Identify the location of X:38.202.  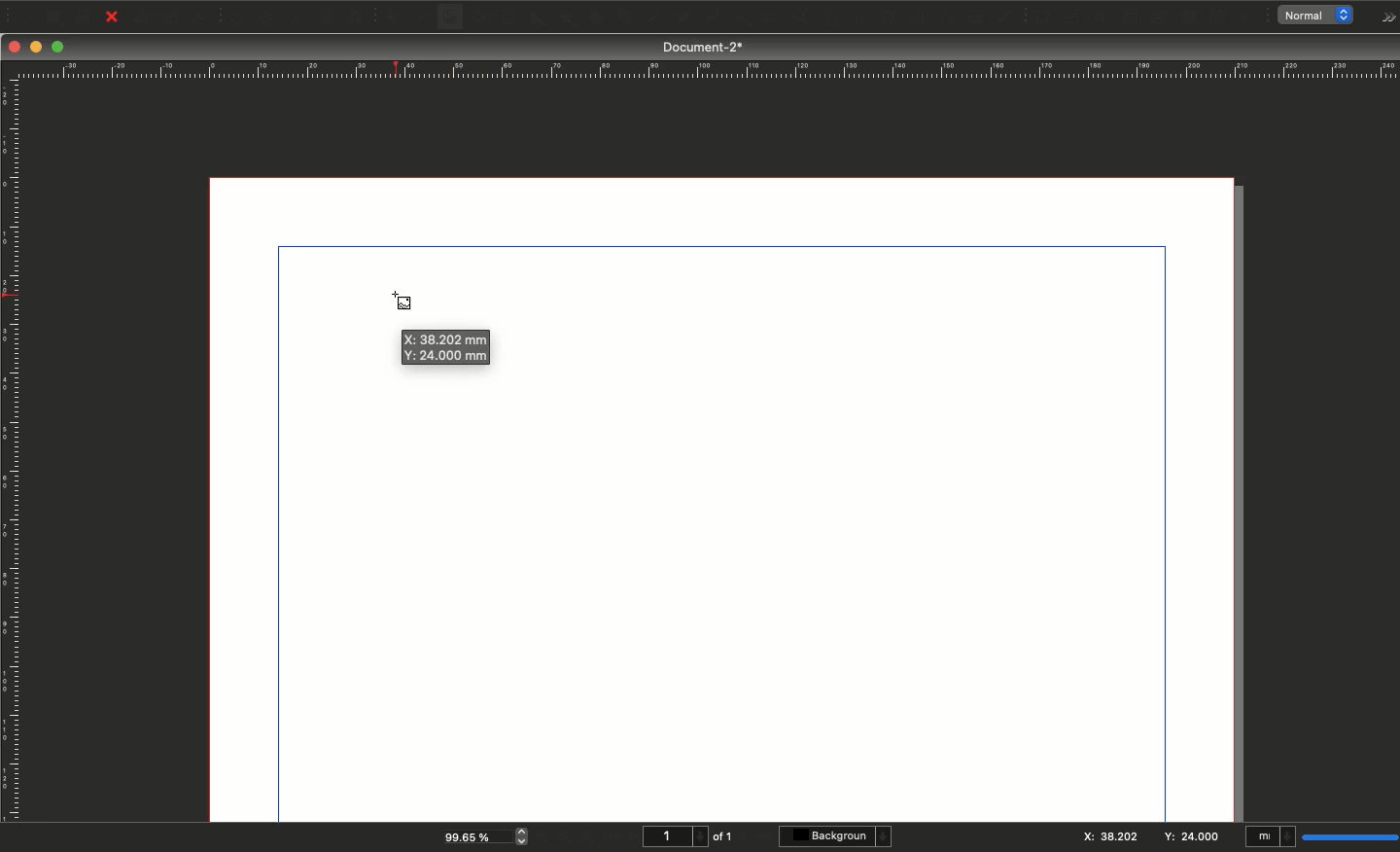
(1107, 836).